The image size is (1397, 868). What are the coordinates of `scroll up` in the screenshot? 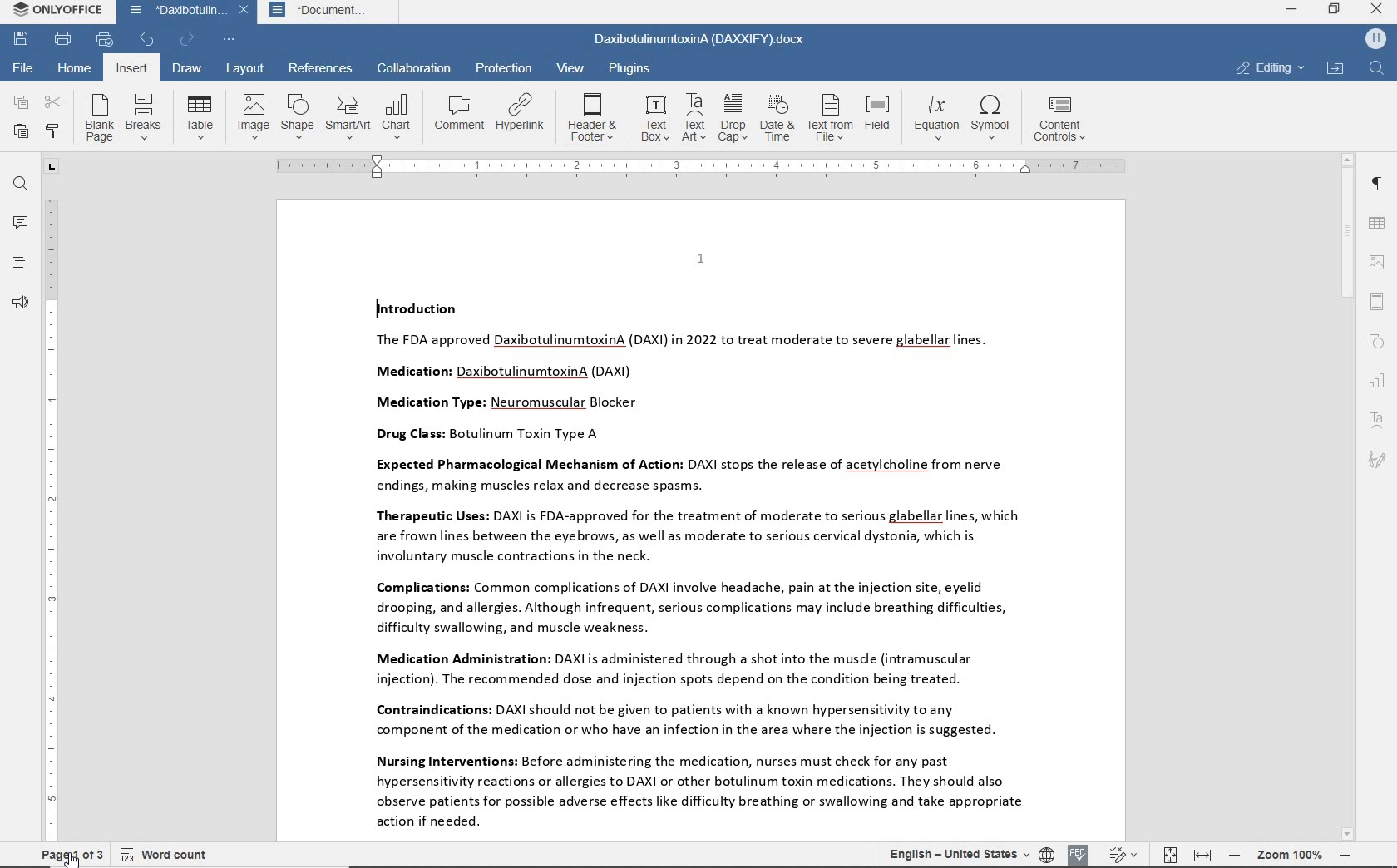 It's located at (1348, 160).